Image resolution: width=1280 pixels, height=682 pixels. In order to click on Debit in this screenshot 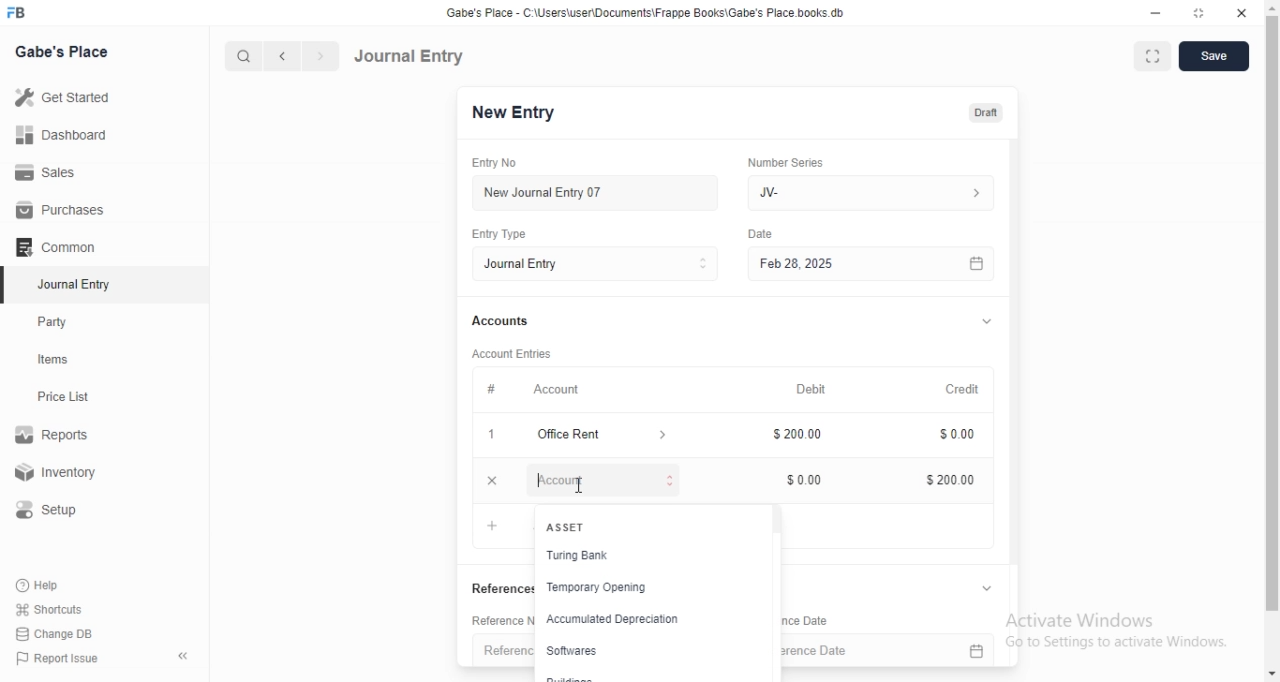, I will do `click(815, 387)`.